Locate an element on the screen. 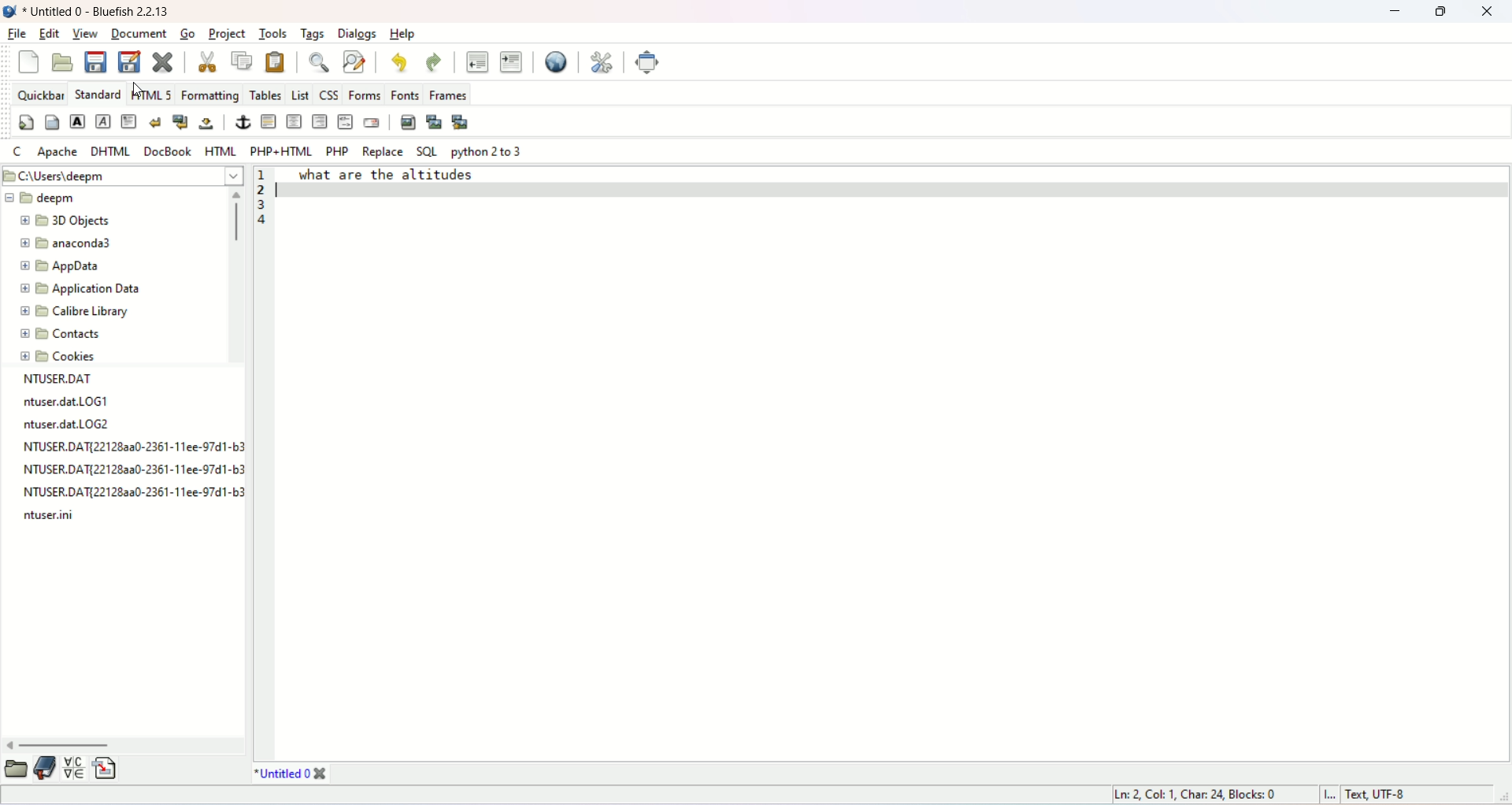  go is located at coordinates (186, 33).